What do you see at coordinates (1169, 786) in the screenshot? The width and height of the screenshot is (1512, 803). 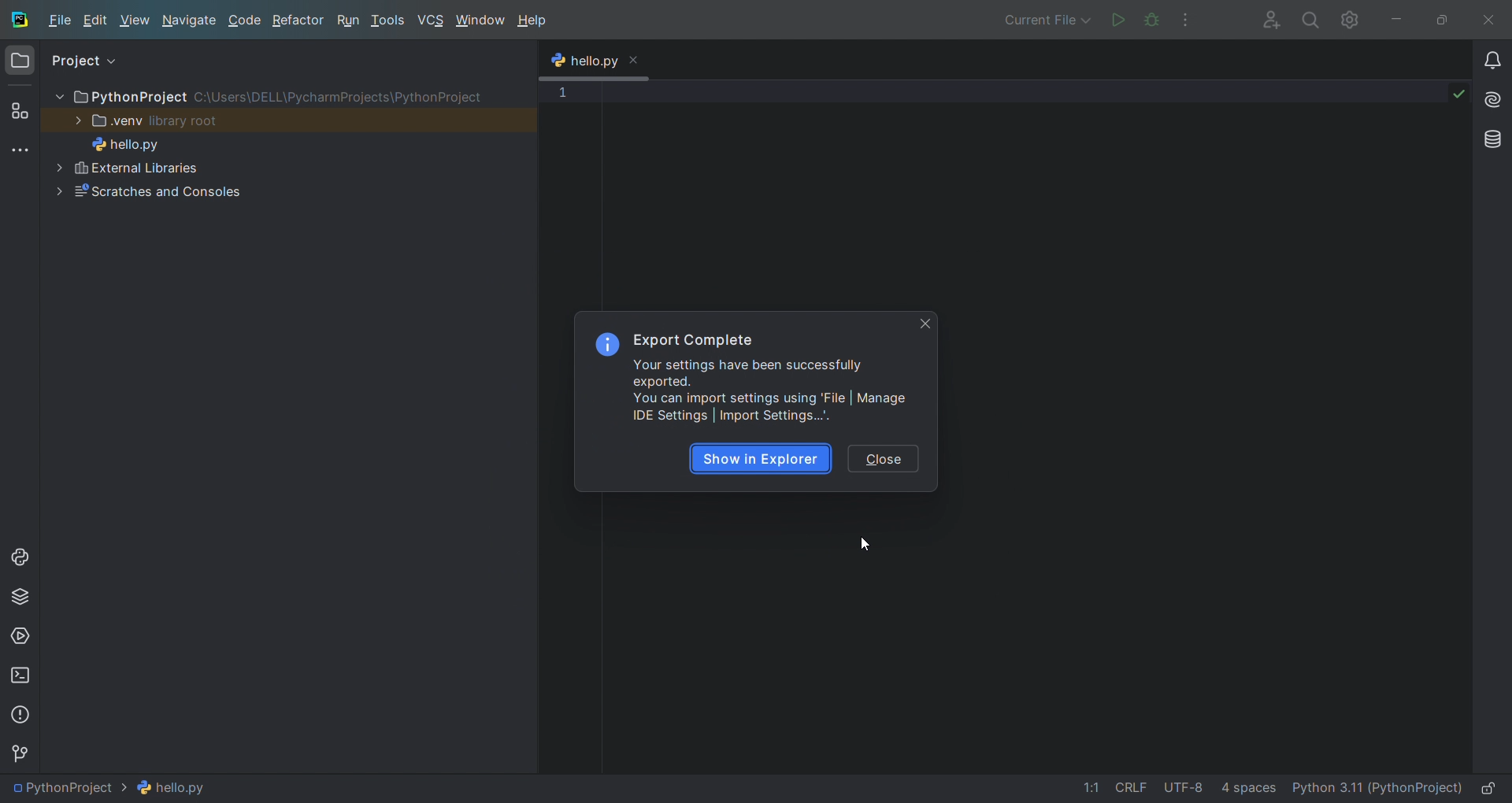 I see `file data` at bounding box center [1169, 786].